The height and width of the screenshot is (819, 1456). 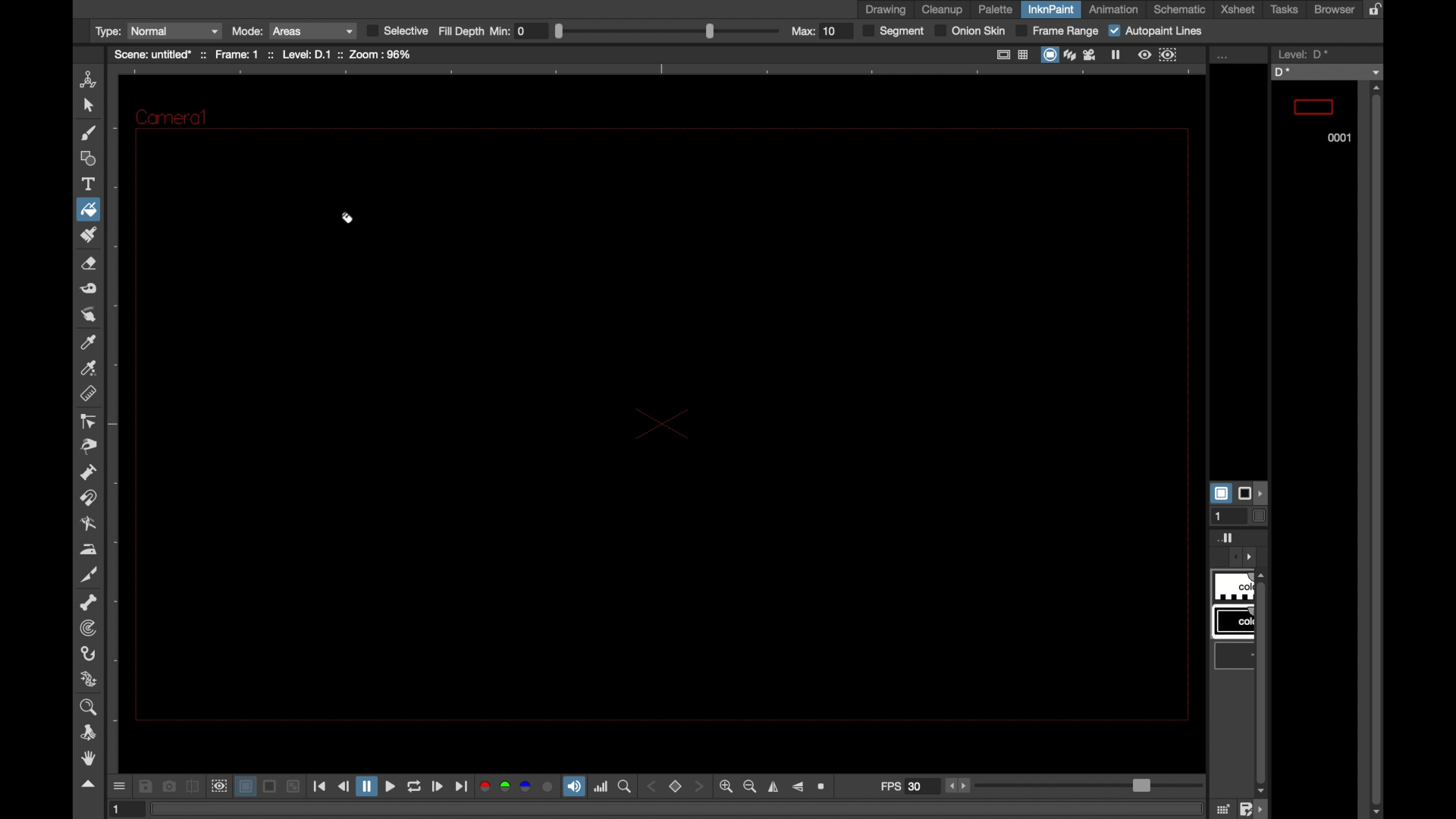 What do you see at coordinates (749, 786) in the screenshot?
I see `zoom out` at bounding box center [749, 786].